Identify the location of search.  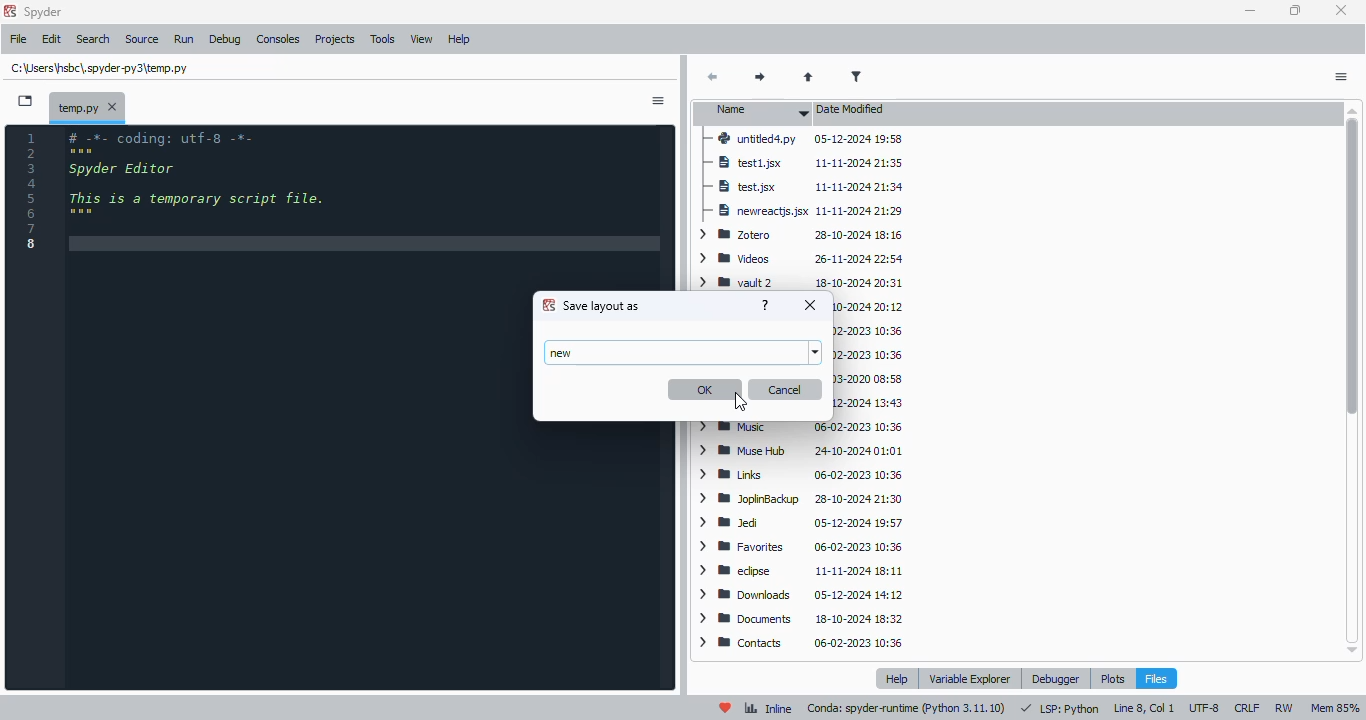
(95, 39).